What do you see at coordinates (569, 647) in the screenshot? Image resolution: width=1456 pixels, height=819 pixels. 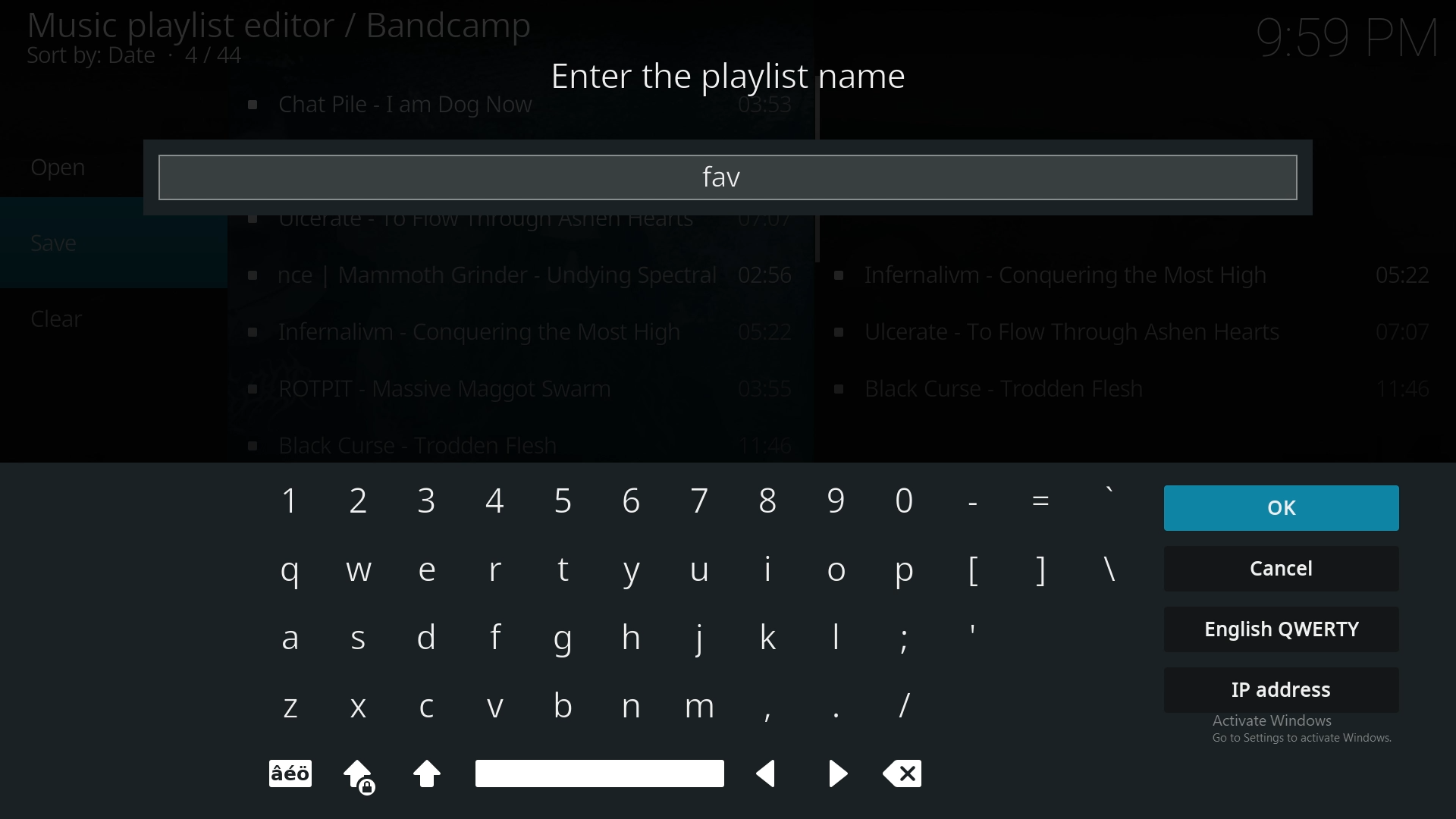 I see `keyboard input` at bounding box center [569, 647].